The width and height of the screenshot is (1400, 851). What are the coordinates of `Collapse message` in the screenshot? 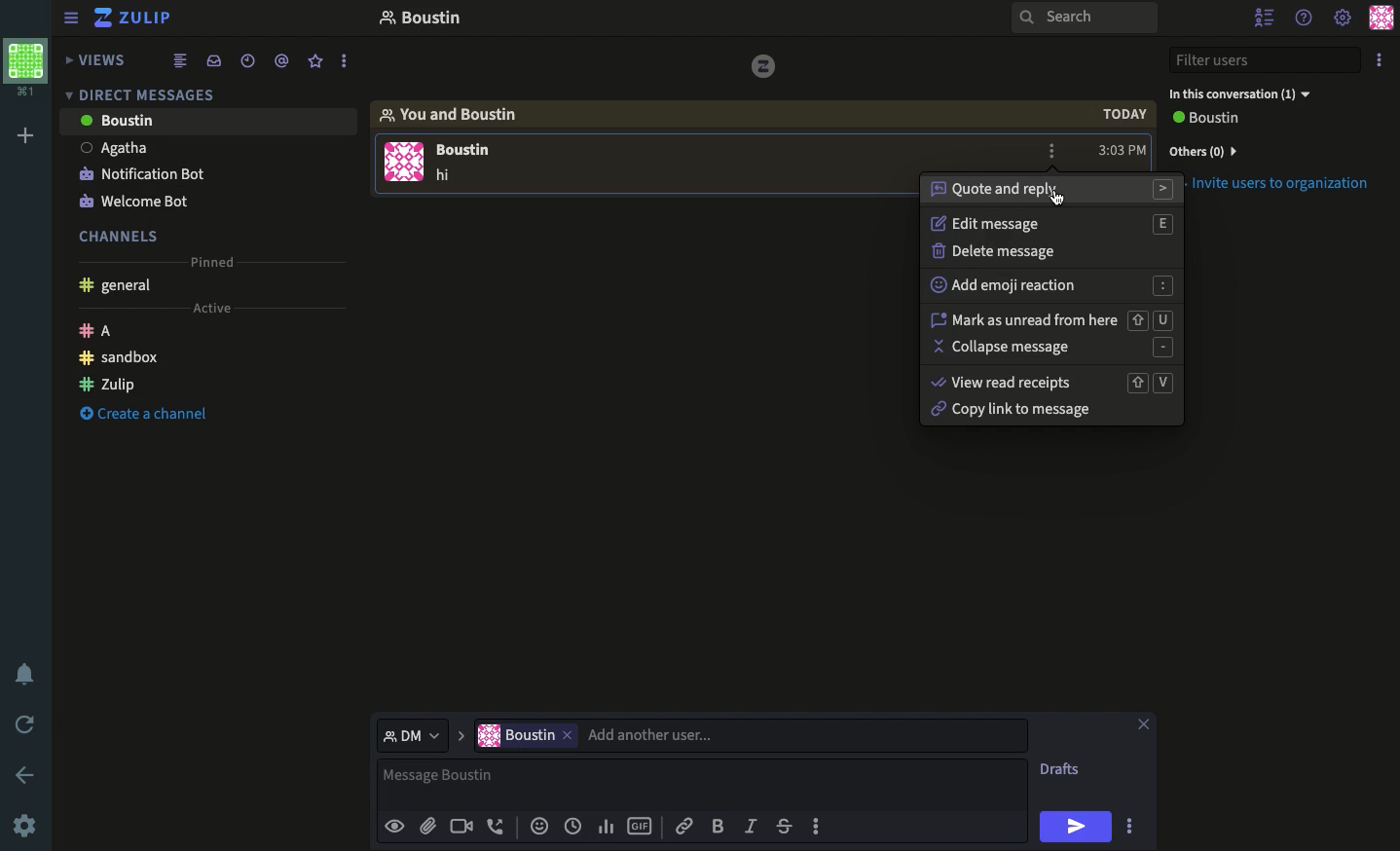 It's located at (1050, 351).